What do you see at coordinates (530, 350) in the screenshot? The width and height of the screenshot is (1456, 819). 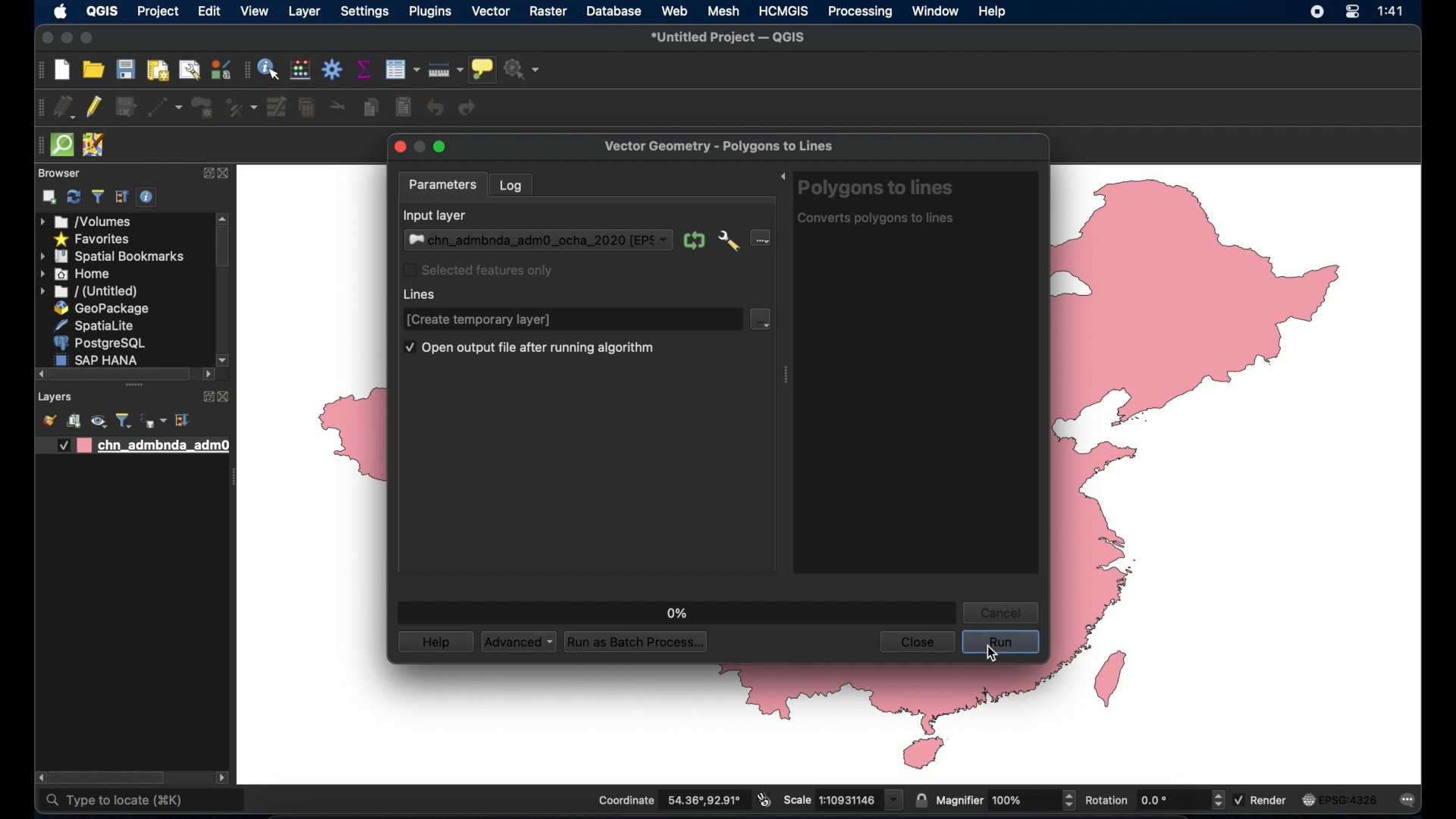 I see `open output file after running algorithm` at bounding box center [530, 350].